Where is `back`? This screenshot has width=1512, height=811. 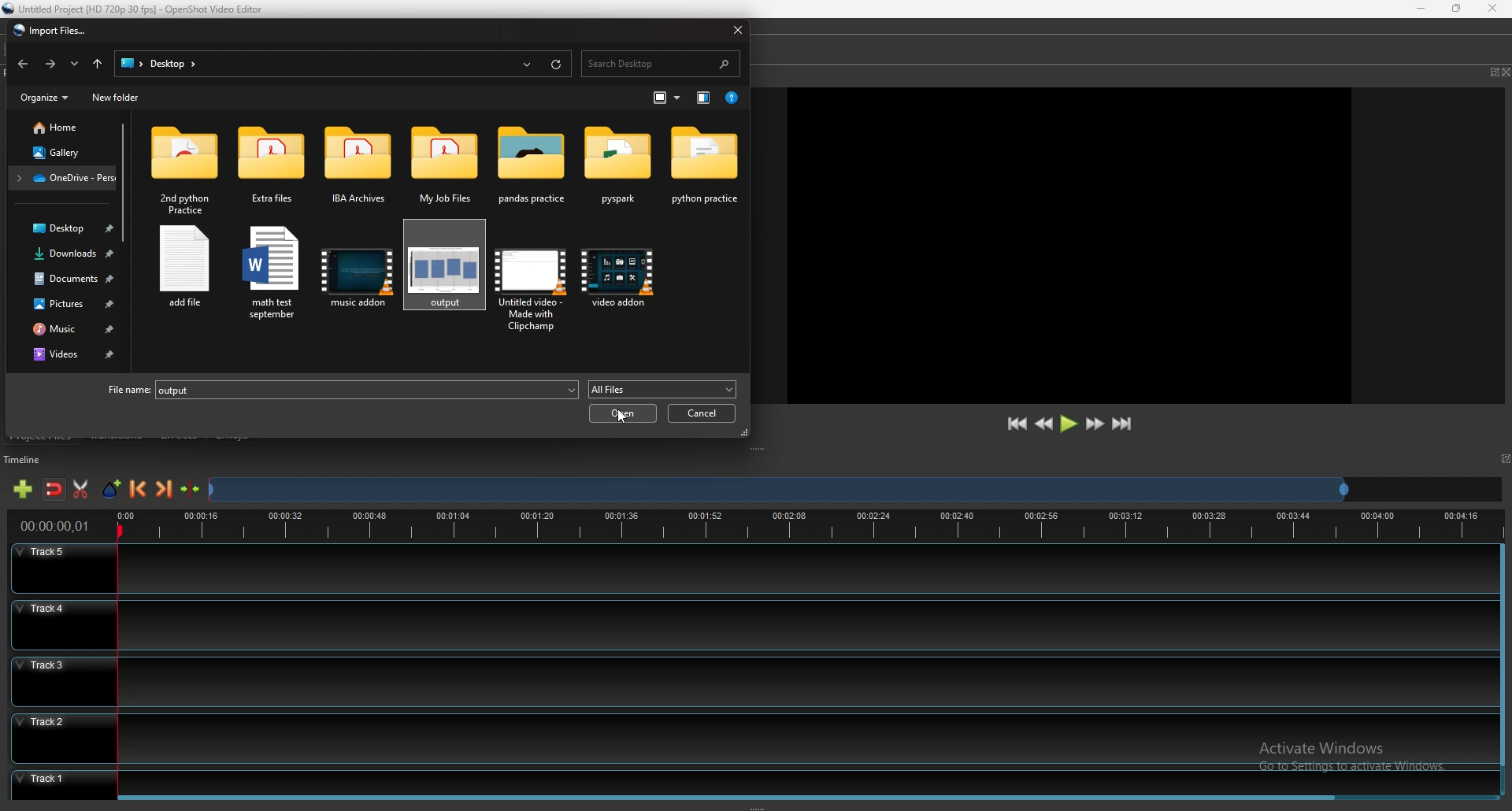
back is located at coordinates (23, 62).